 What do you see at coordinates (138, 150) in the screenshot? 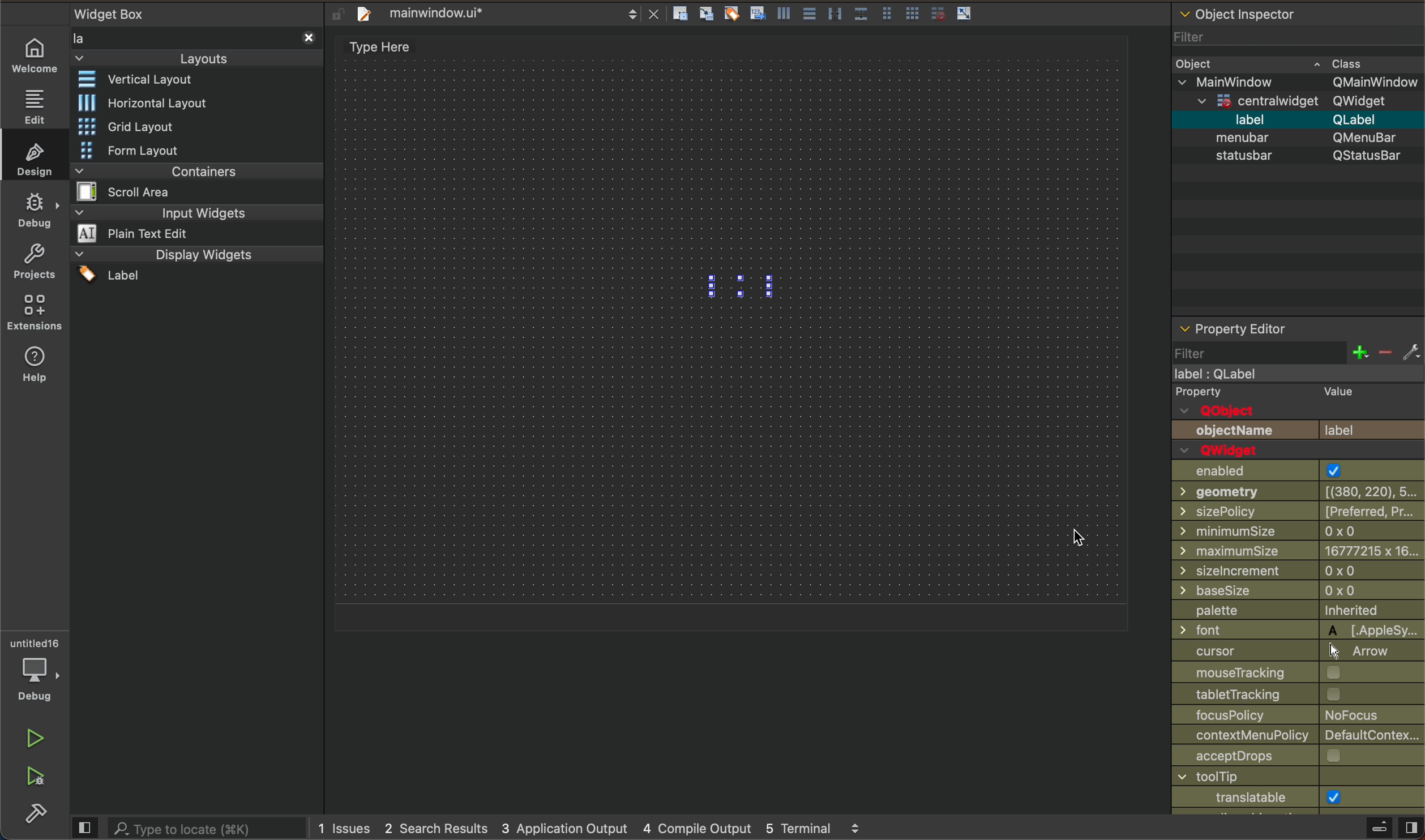
I see `form layout` at bounding box center [138, 150].